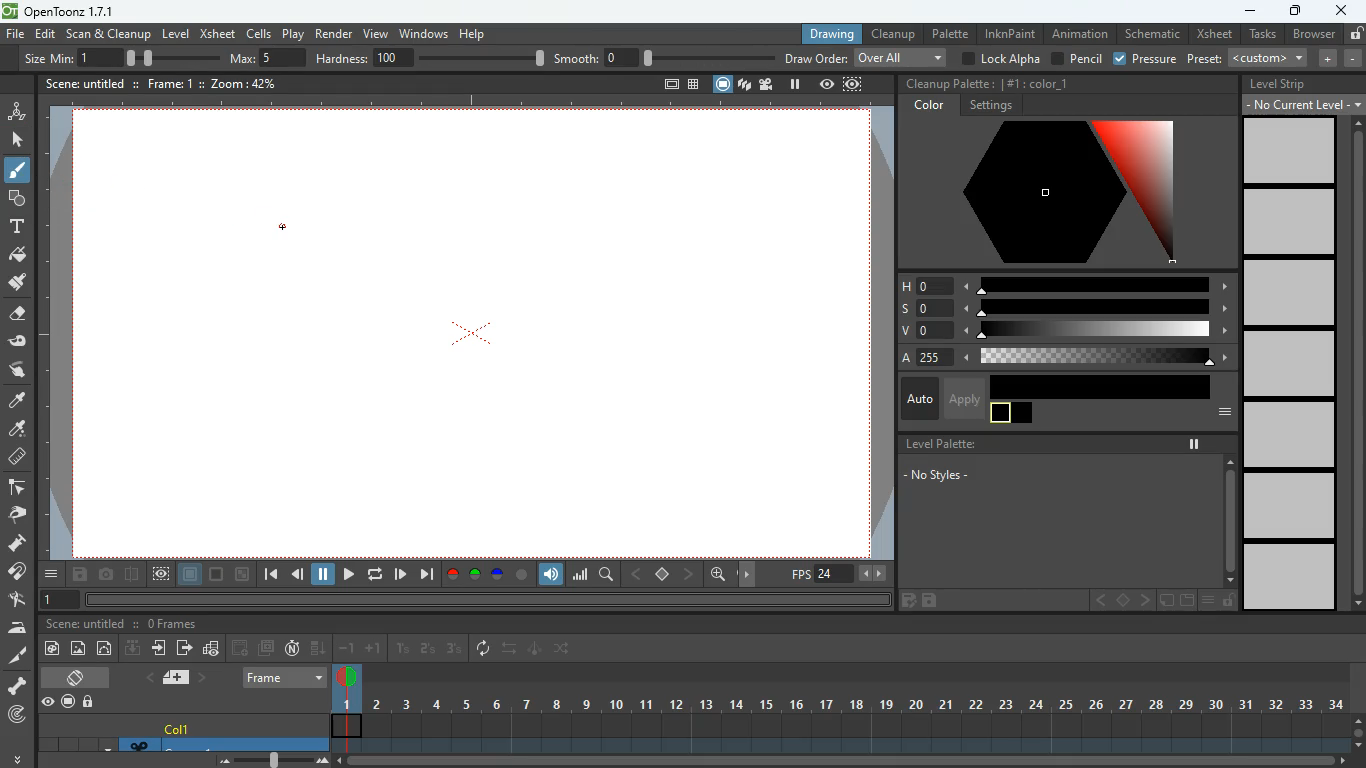 Image resolution: width=1366 pixels, height=768 pixels. I want to click on decrease, so click(1353, 58).